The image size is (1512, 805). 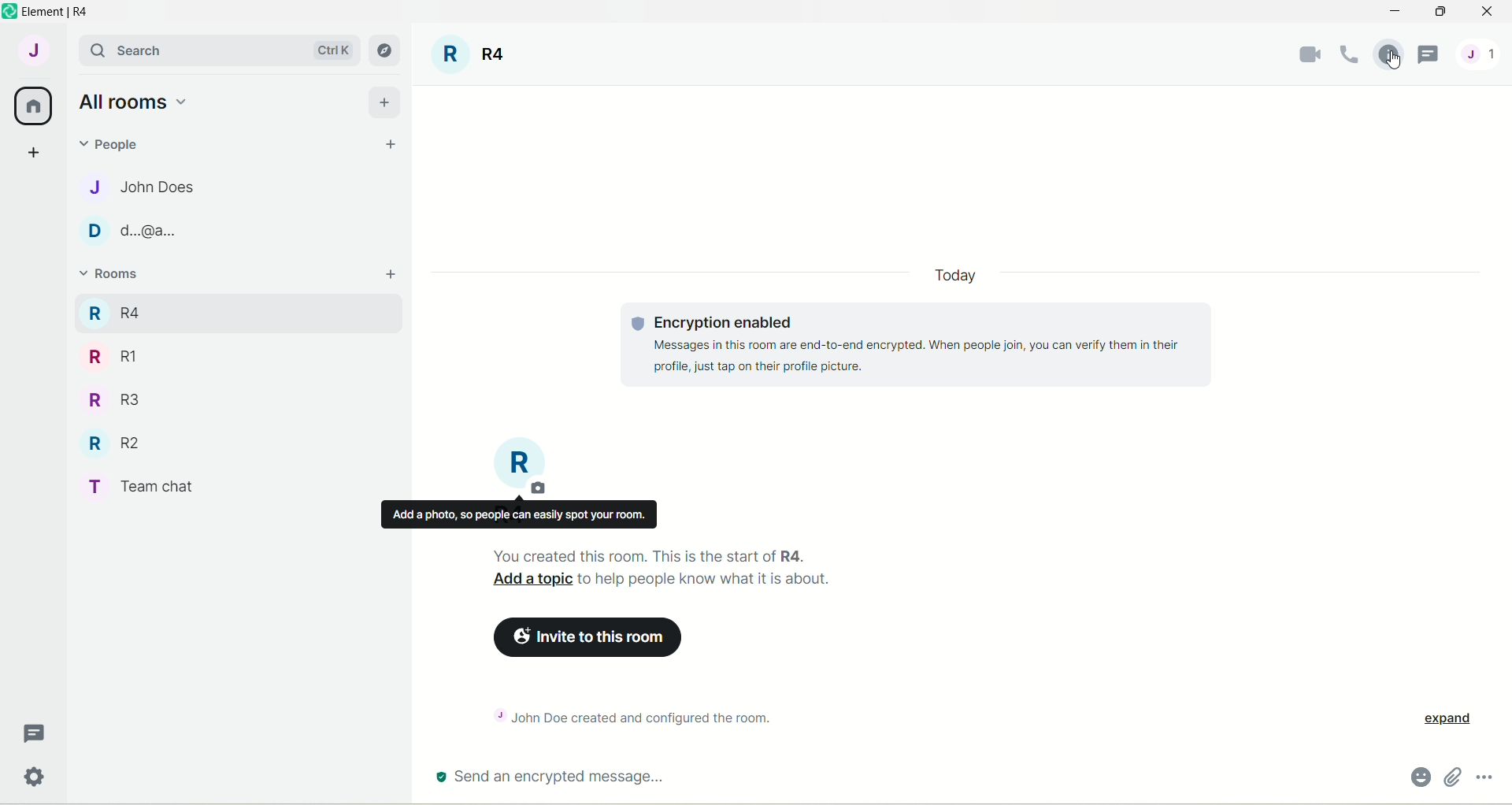 What do you see at coordinates (113, 310) in the screenshot?
I see `R R4` at bounding box center [113, 310].